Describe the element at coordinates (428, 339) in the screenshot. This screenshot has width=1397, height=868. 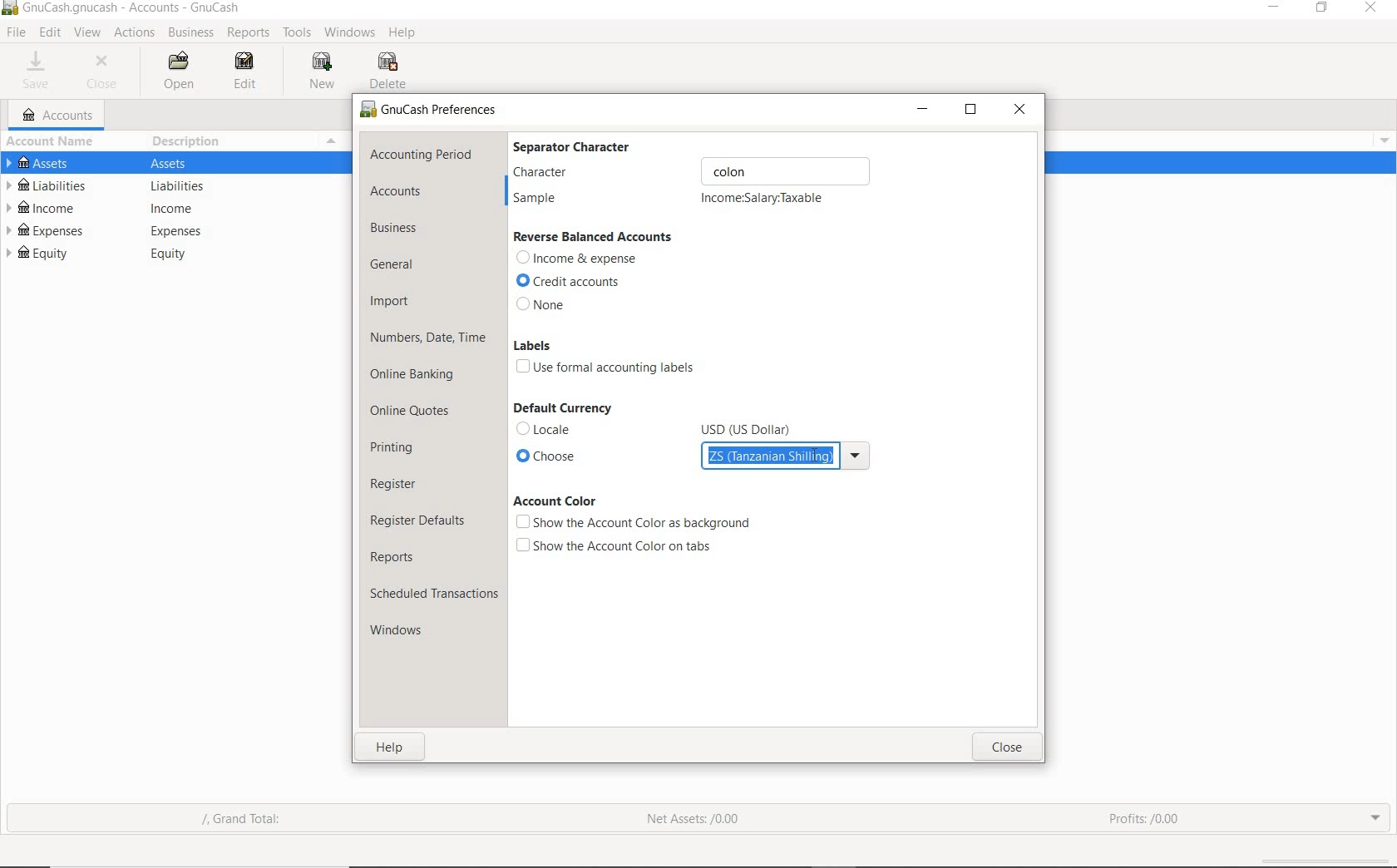
I see `numbers, date, time` at that location.